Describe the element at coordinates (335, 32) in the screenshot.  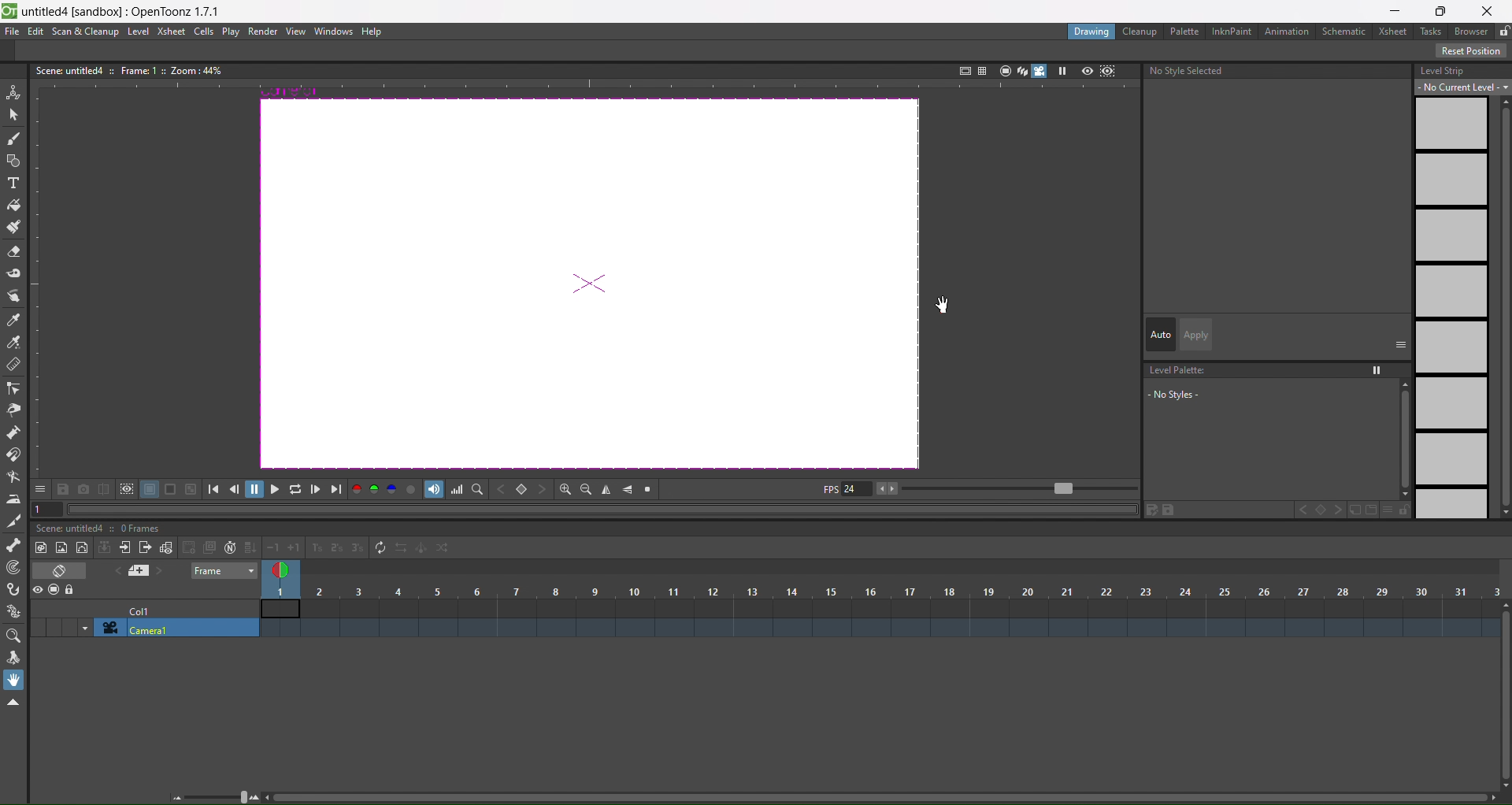
I see `windows` at that location.